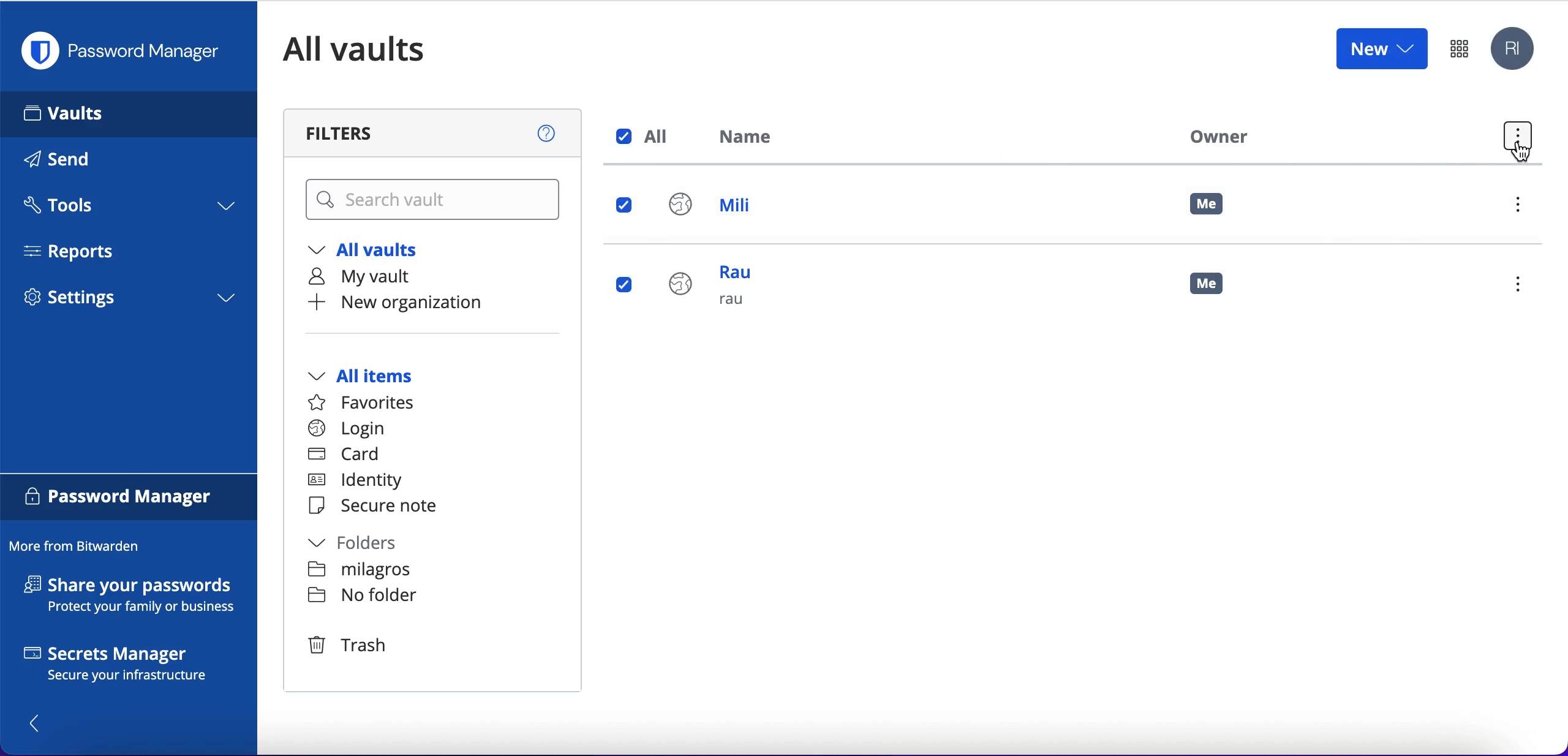 The width and height of the screenshot is (1568, 756). What do you see at coordinates (1216, 289) in the screenshot?
I see `me` at bounding box center [1216, 289].